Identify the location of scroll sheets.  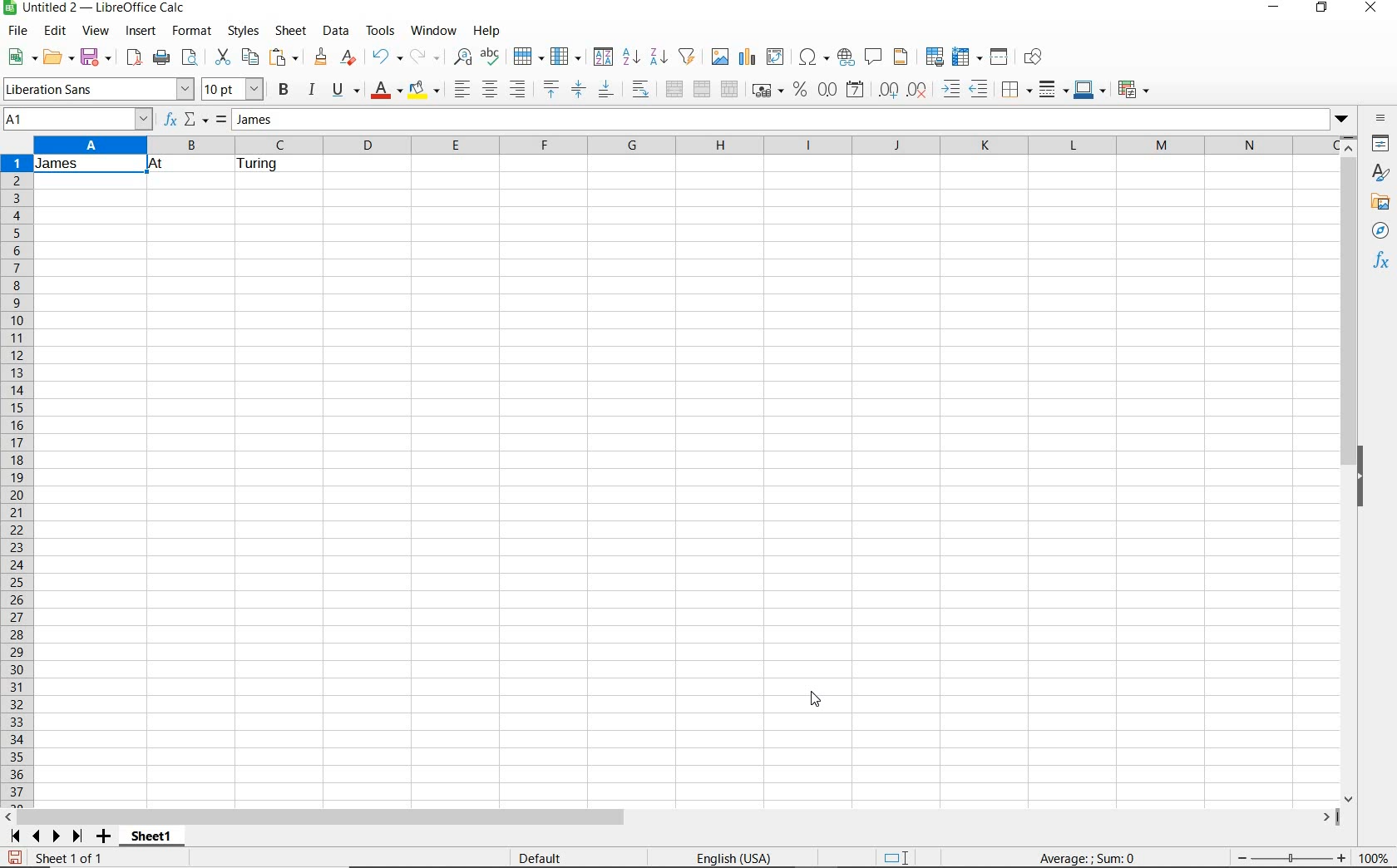
(43, 836).